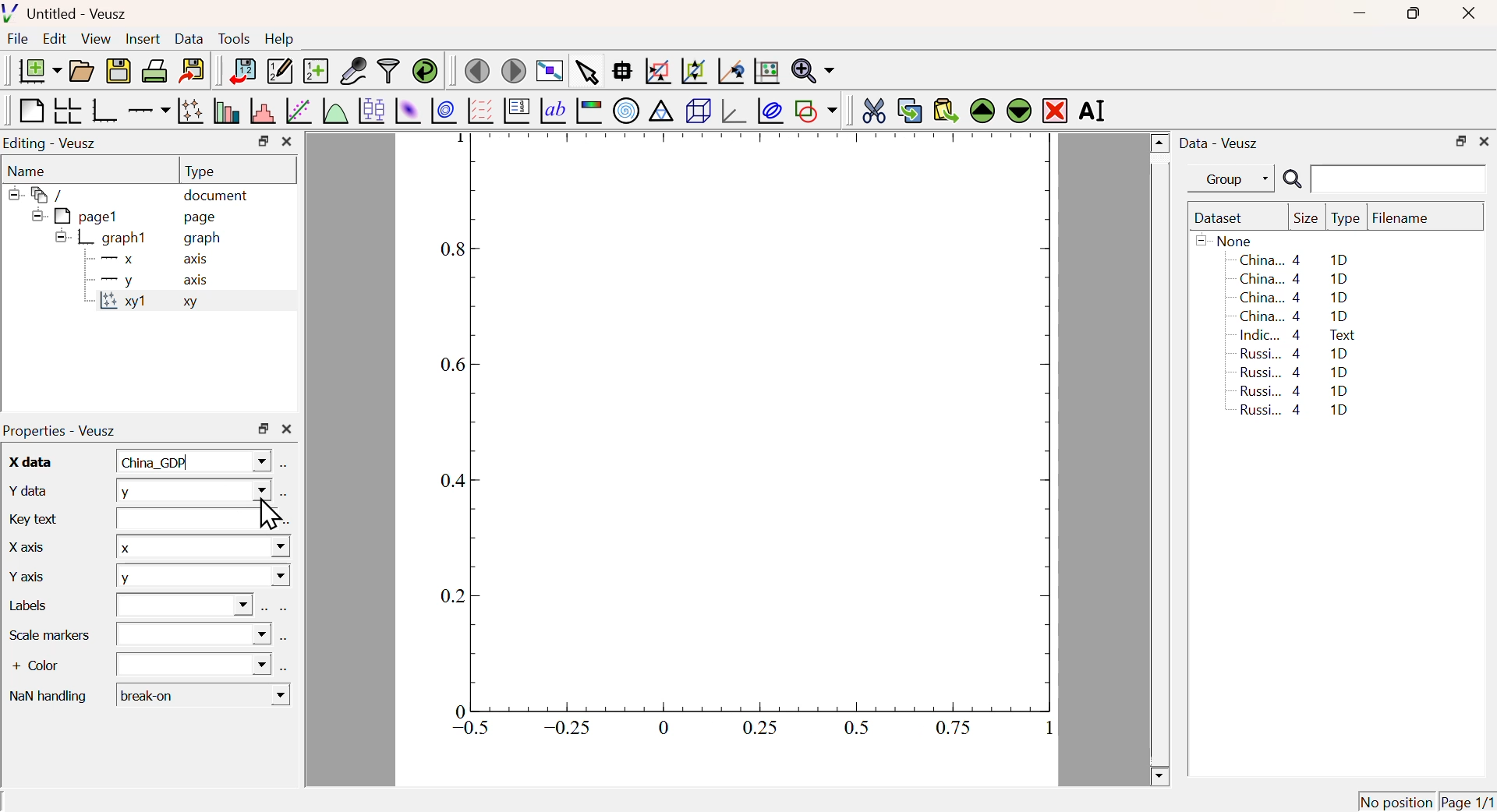 The width and height of the screenshot is (1497, 812). What do you see at coordinates (267, 514) in the screenshot?
I see `Cursor` at bounding box center [267, 514].